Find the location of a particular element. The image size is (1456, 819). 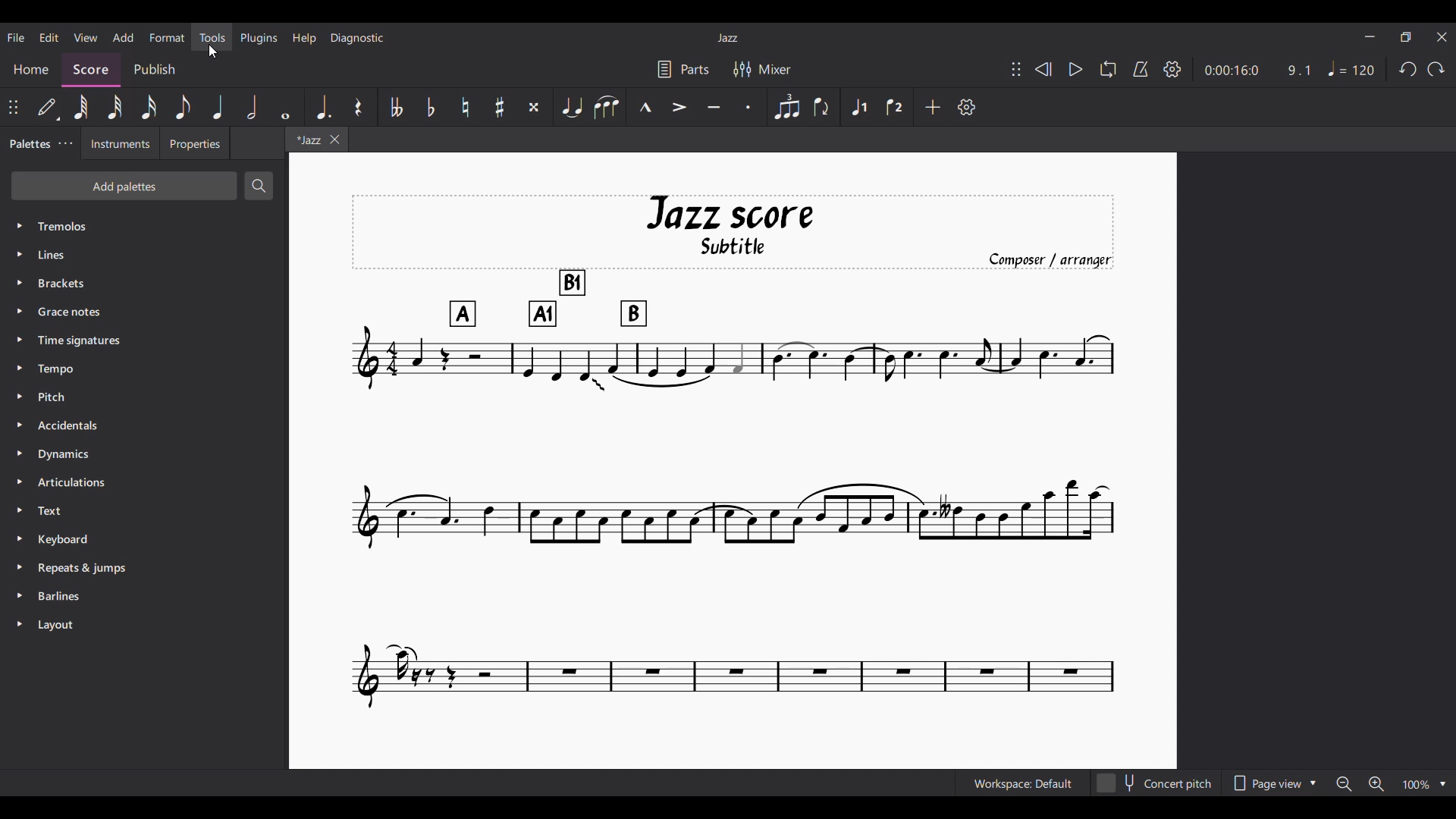

Time signatures is located at coordinates (144, 340).